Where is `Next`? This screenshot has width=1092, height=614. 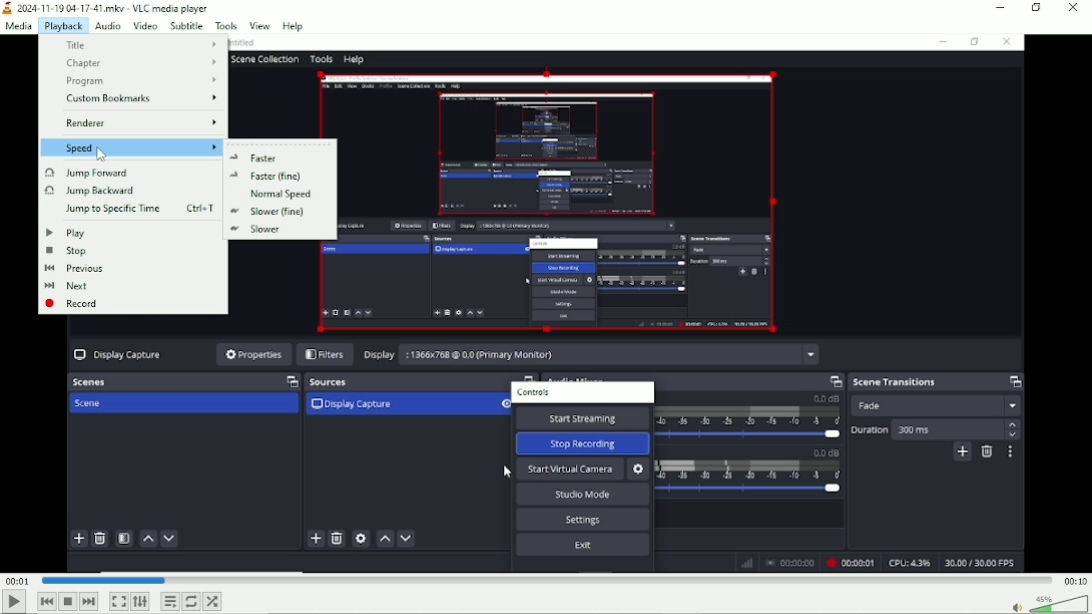 Next is located at coordinates (89, 601).